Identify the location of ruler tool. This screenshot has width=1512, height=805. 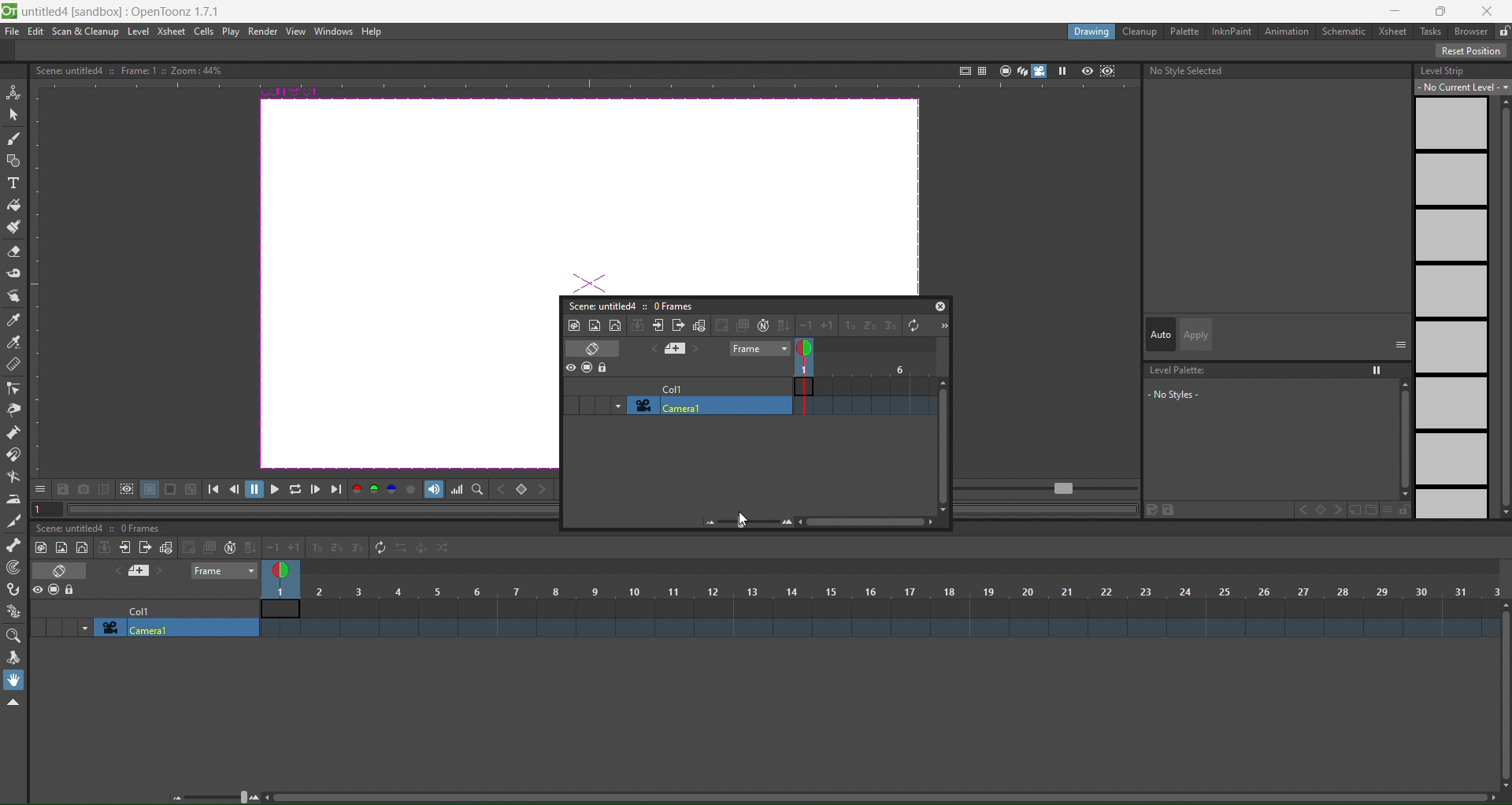
(12, 364).